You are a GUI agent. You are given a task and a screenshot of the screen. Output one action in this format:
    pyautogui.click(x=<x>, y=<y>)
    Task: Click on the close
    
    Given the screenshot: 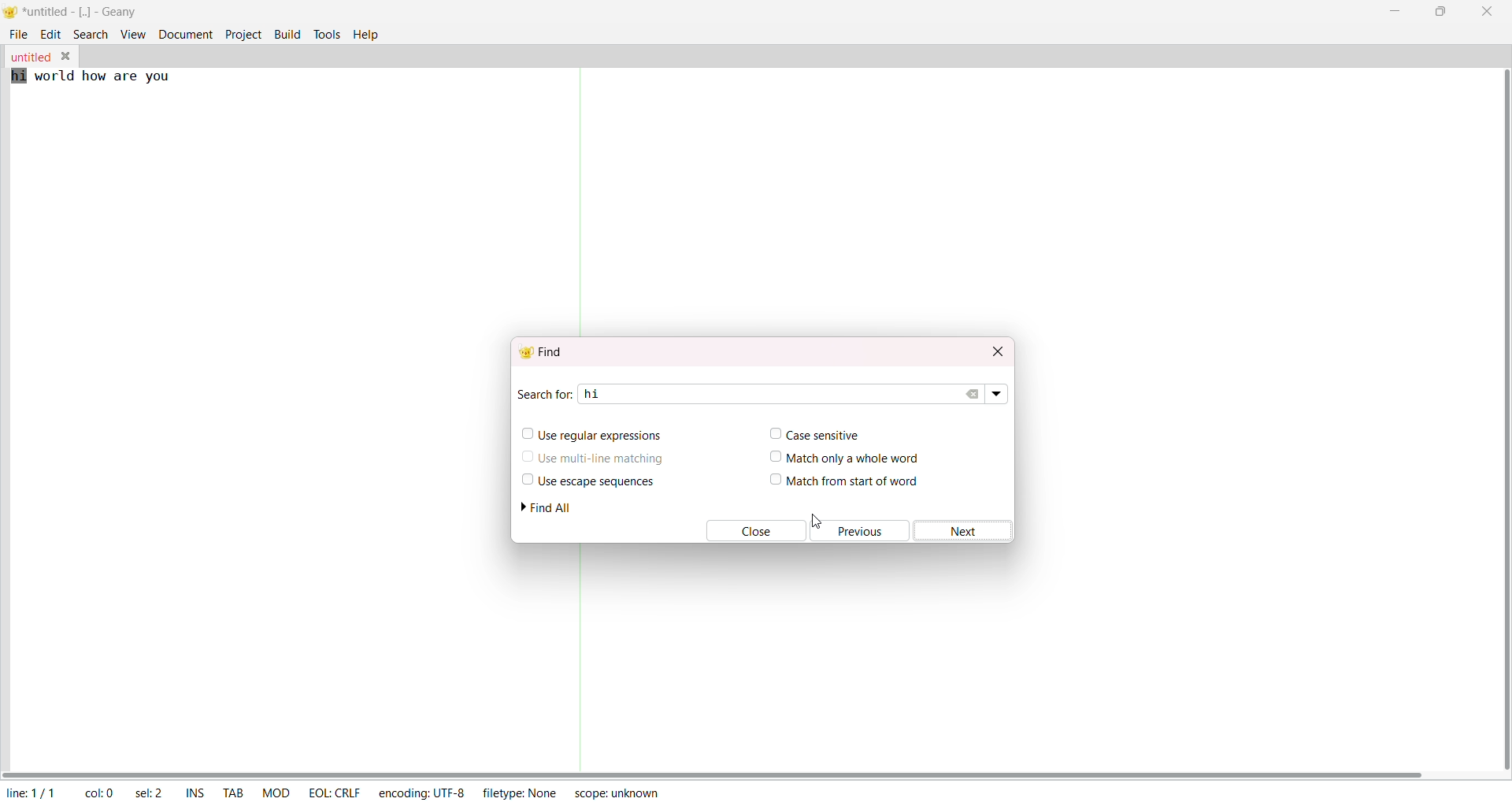 What is the action you would take?
    pyautogui.click(x=997, y=351)
    